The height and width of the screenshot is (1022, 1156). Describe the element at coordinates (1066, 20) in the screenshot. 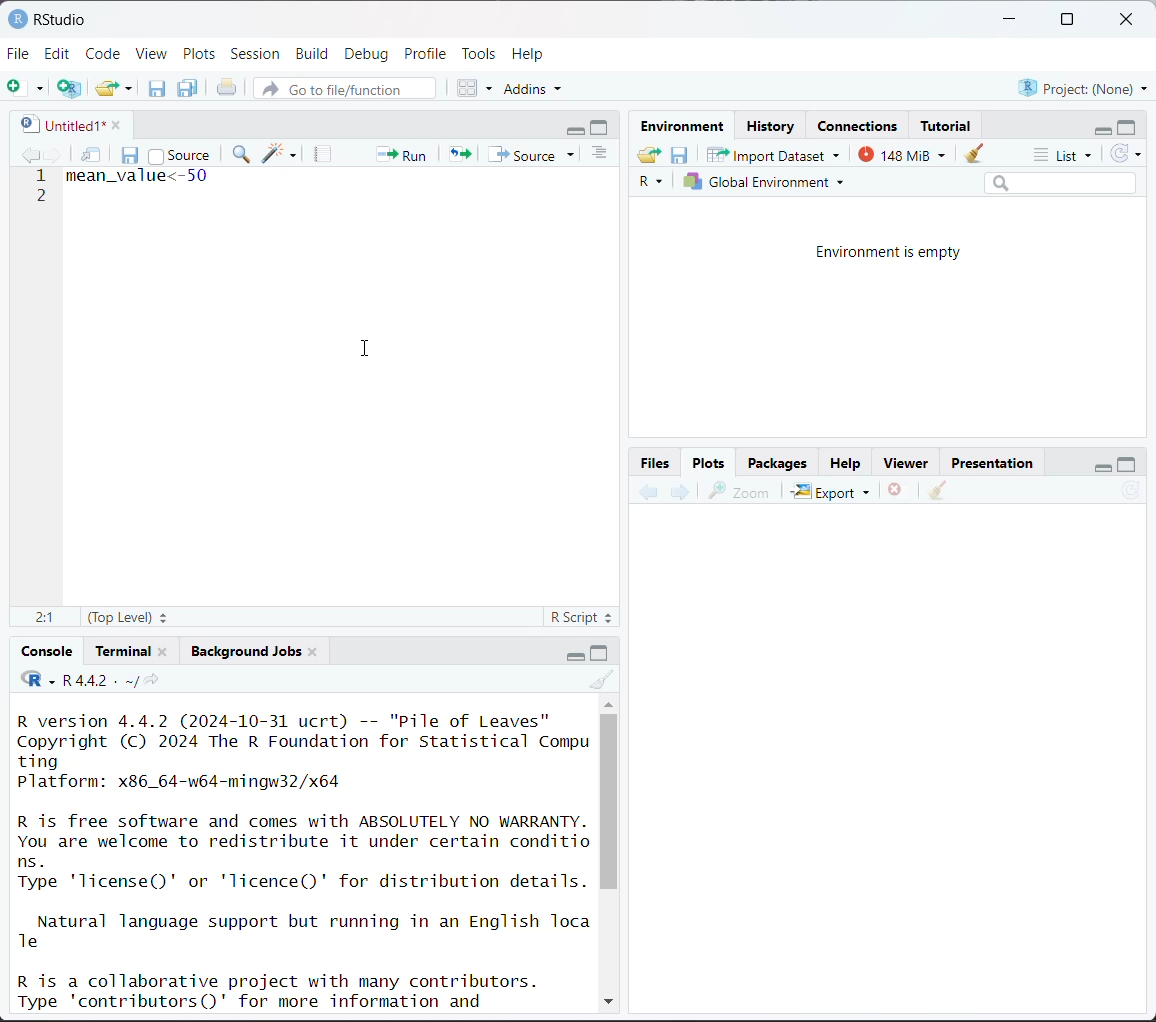

I see `maximize` at that location.